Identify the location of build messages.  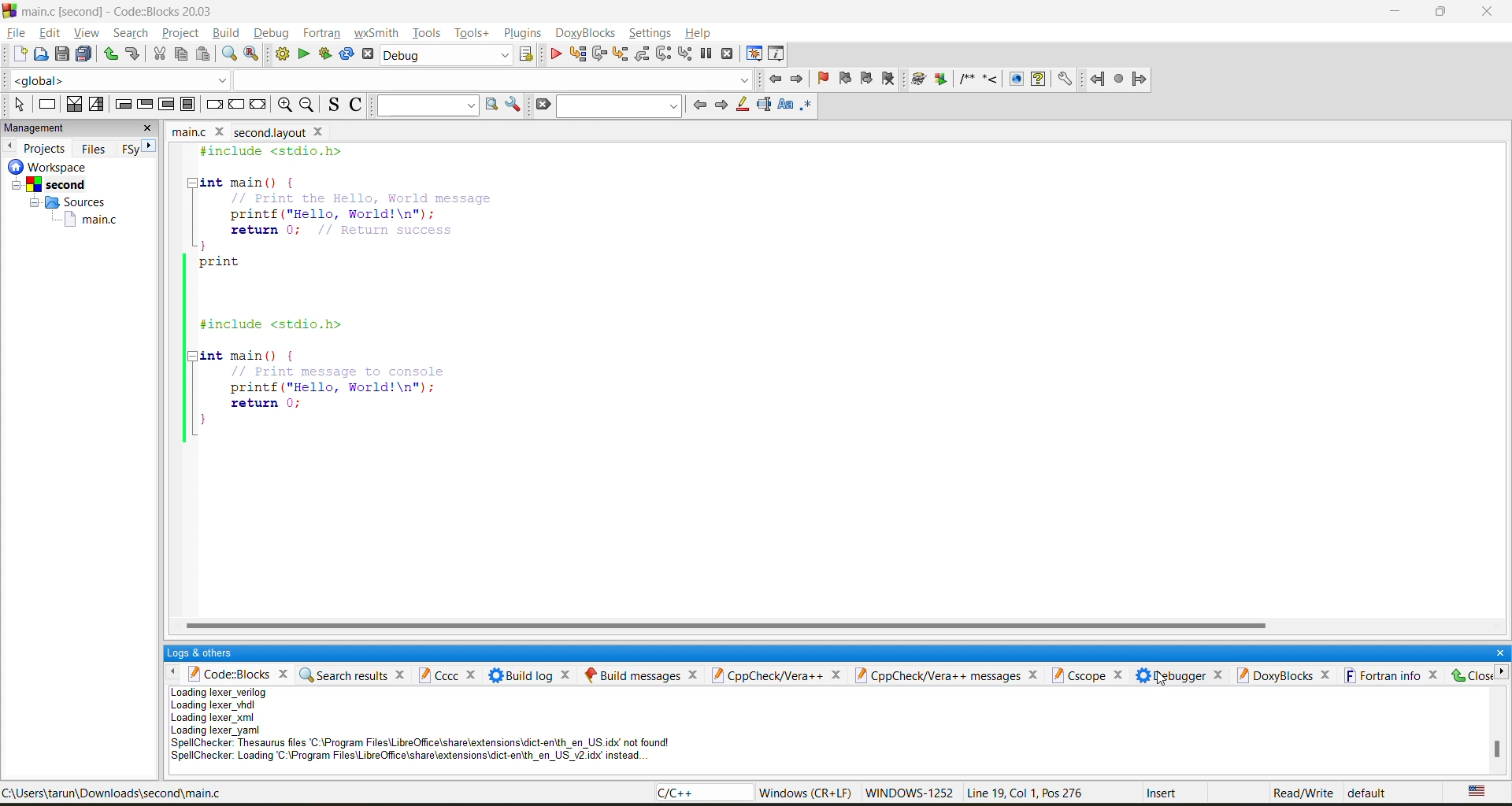
(645, 673).